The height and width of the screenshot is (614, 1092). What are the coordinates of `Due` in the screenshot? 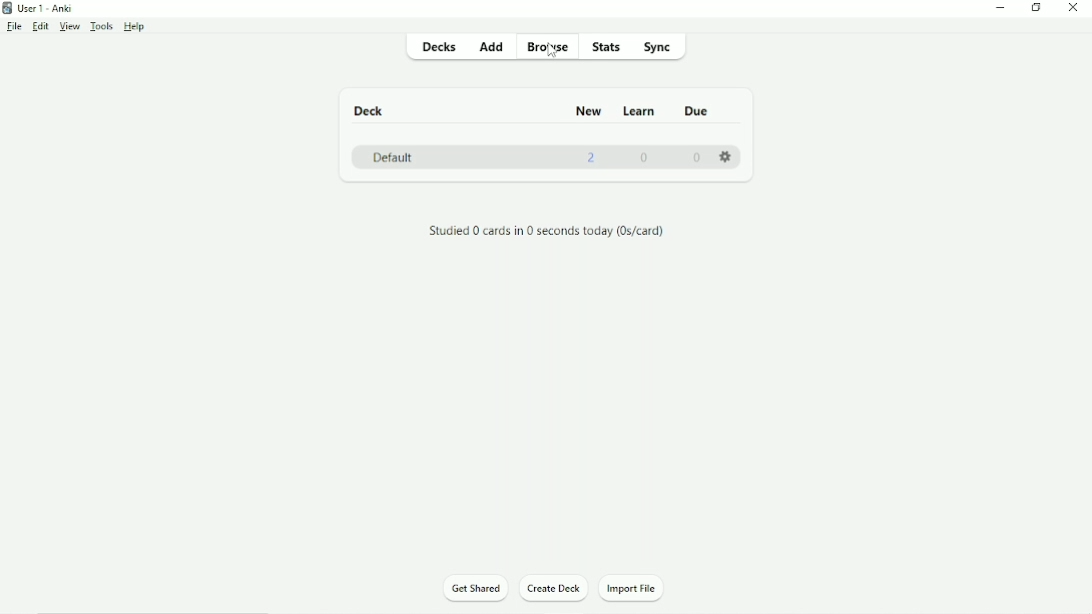 It's located at (695, 112).